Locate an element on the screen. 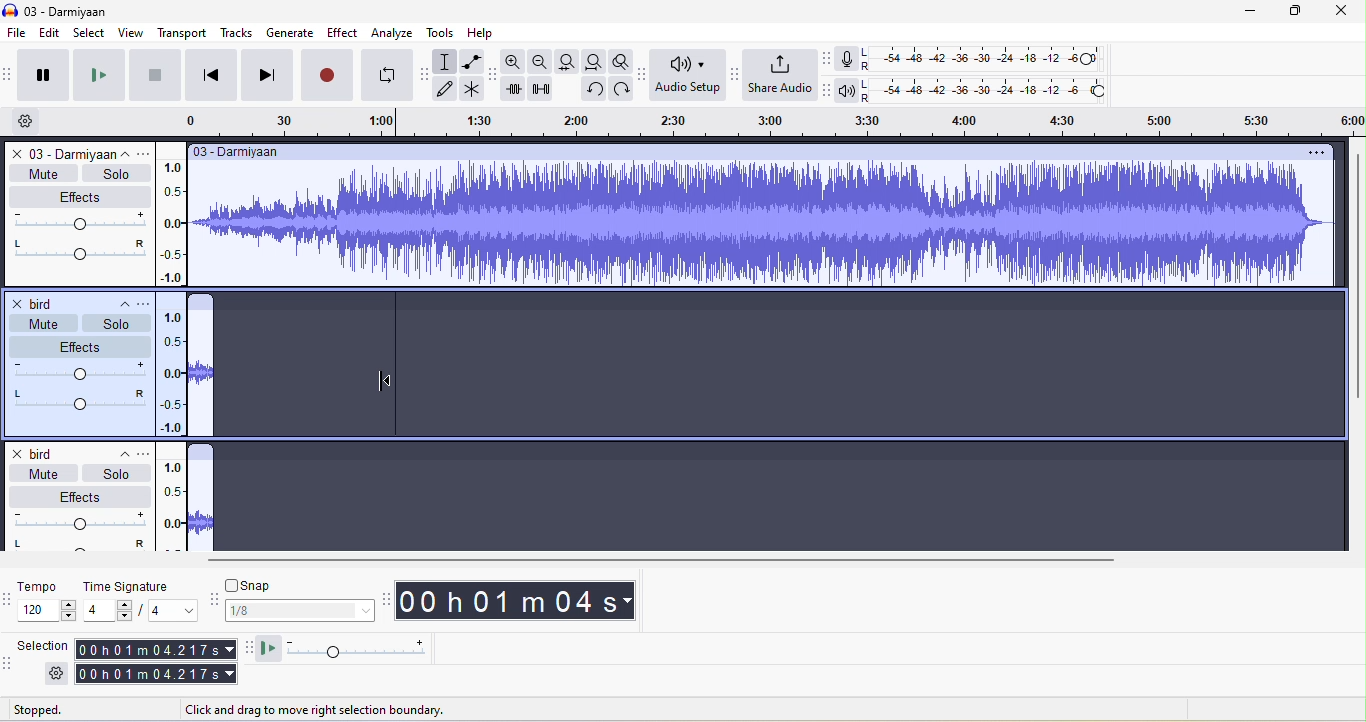 The width and height of the screenshot is (1366, 722). collapse is located at coordinates (115, 454).